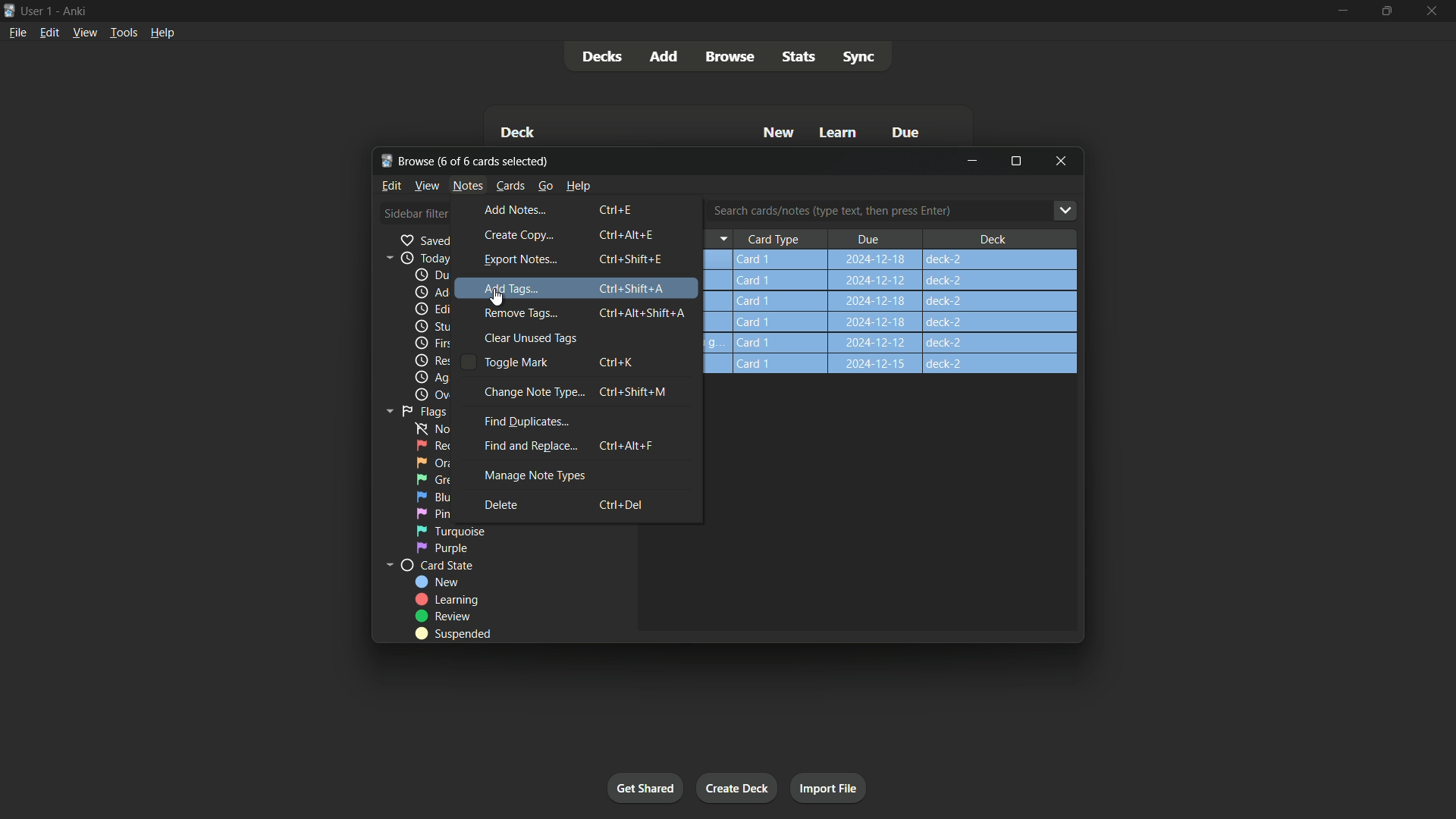  What do you see at coordinates (494, 297) in the screenshot?
I see `cursor` at bounding box center [494, 297].